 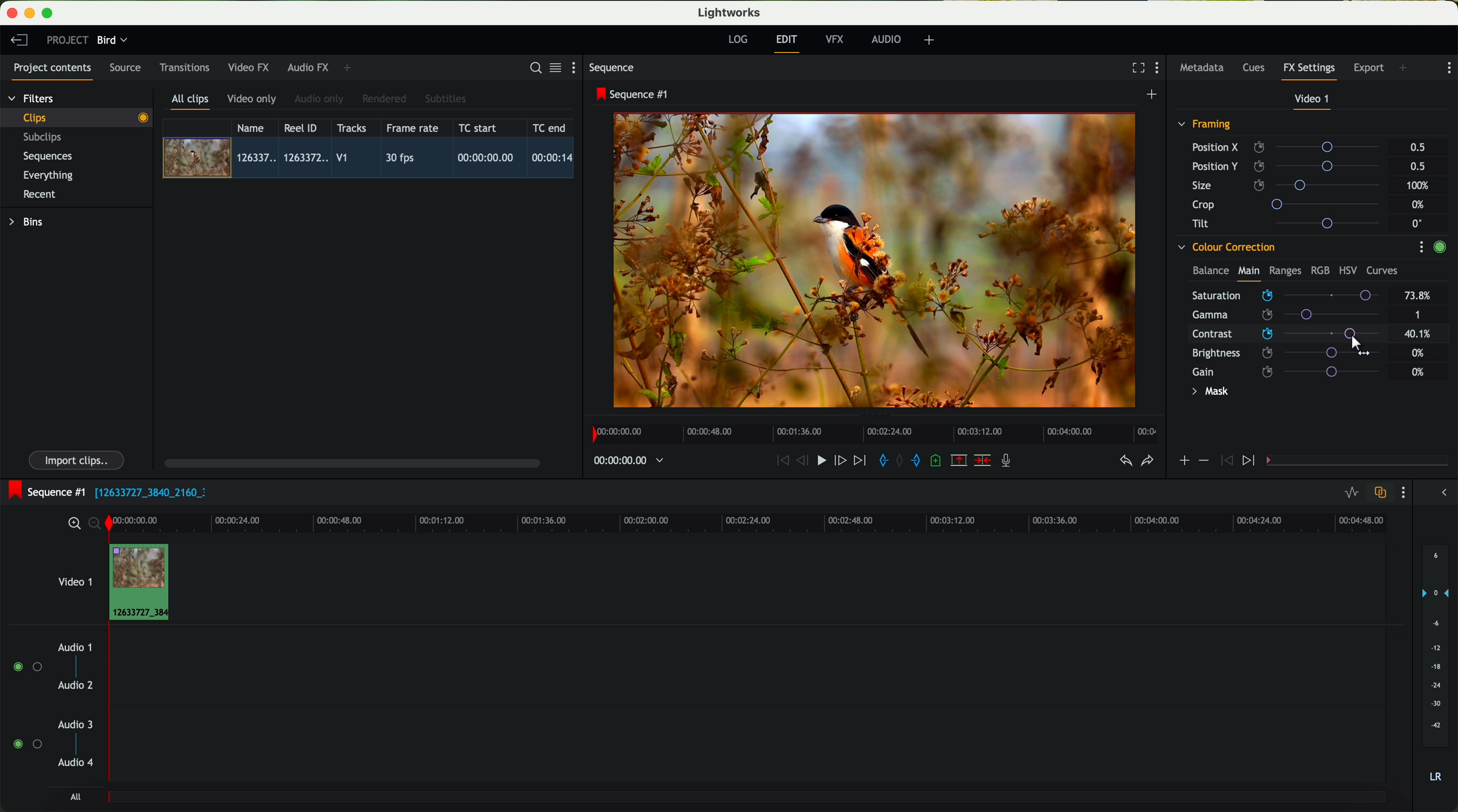 What do you see at coordinates (74, 579) in the screenshot?
I see `video 1` at bounding box center [74, 579].